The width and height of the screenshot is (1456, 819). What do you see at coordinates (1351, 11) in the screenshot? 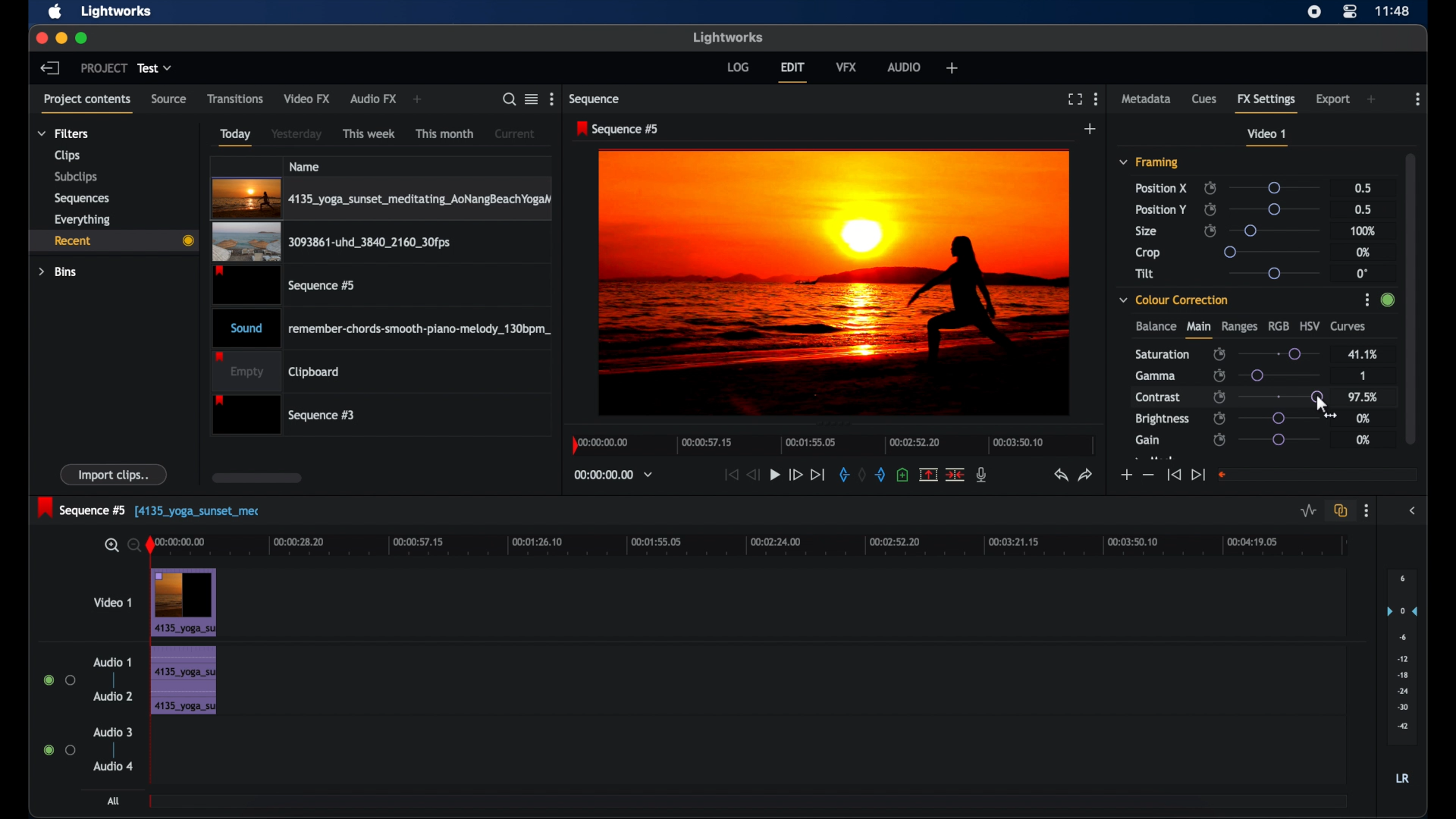
I see `control center` at bounding box center [1351, 11].